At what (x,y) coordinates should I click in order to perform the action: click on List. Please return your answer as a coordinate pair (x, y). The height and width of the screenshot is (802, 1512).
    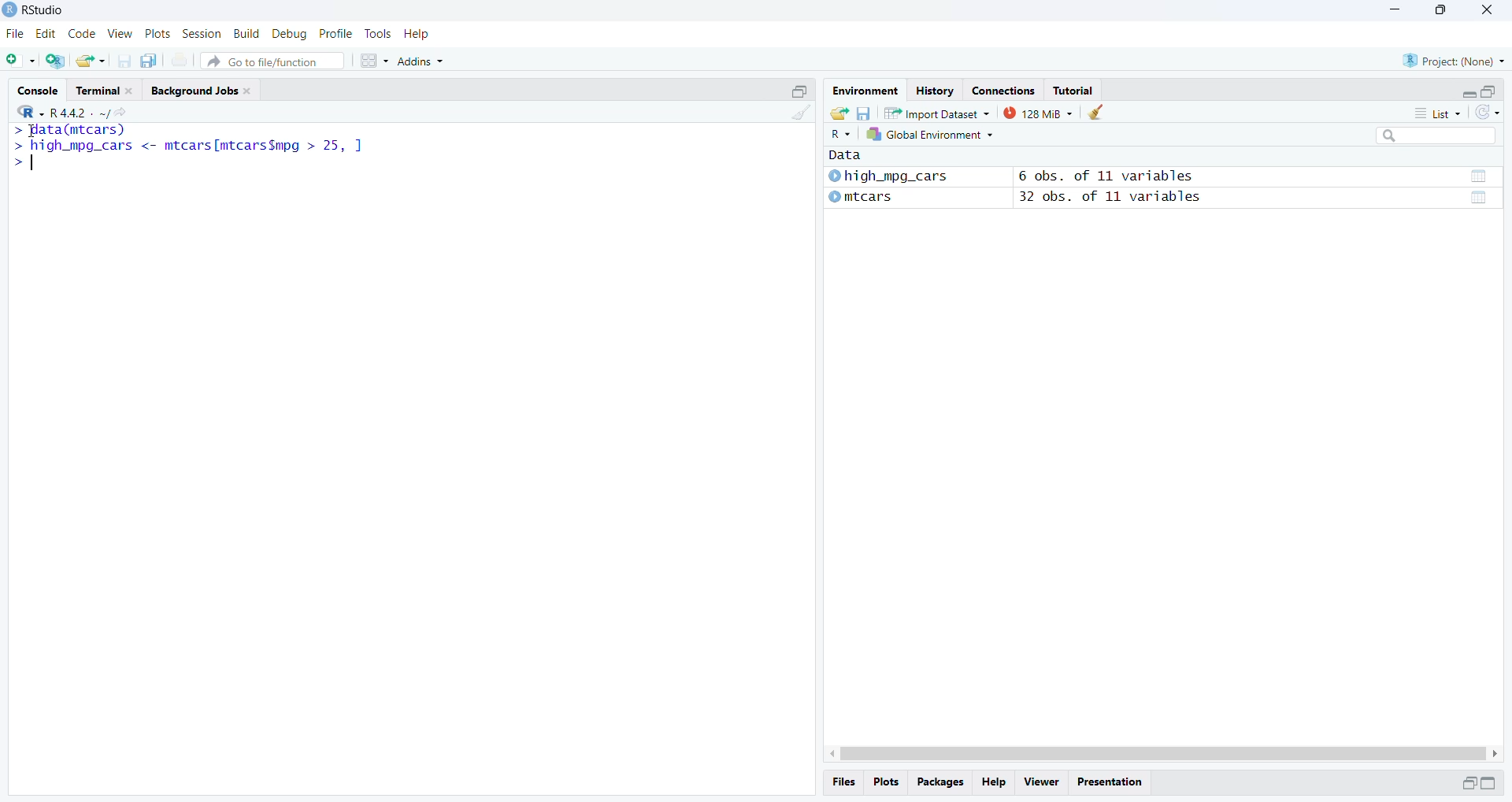
    Looking at the image, I should click on (1437, 112).